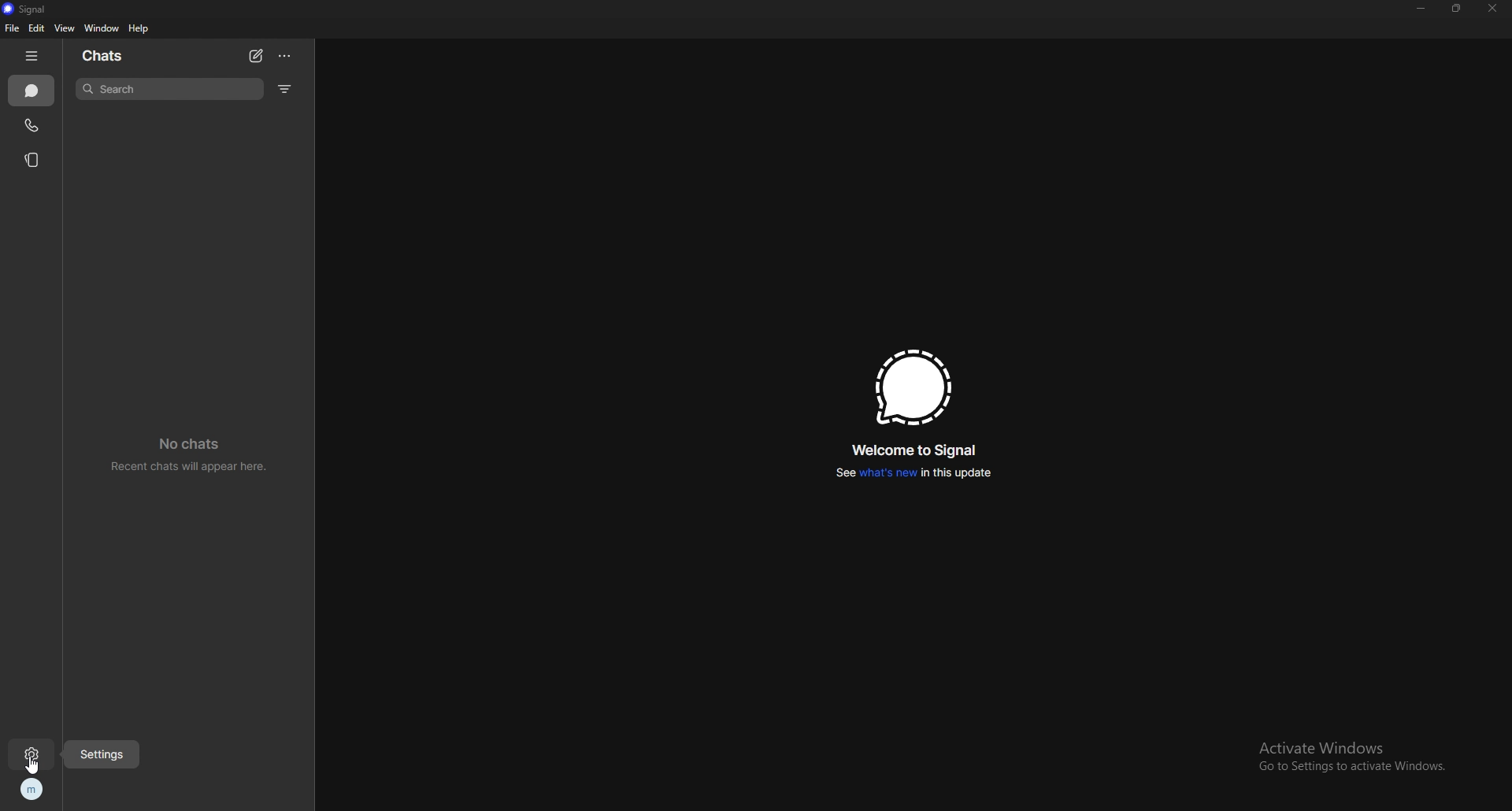 This screenshot has height=811, width=1512. What do you see at coordinates (286, 88) in the screenshot?
I see `filter` at bounding box center [286, 88].